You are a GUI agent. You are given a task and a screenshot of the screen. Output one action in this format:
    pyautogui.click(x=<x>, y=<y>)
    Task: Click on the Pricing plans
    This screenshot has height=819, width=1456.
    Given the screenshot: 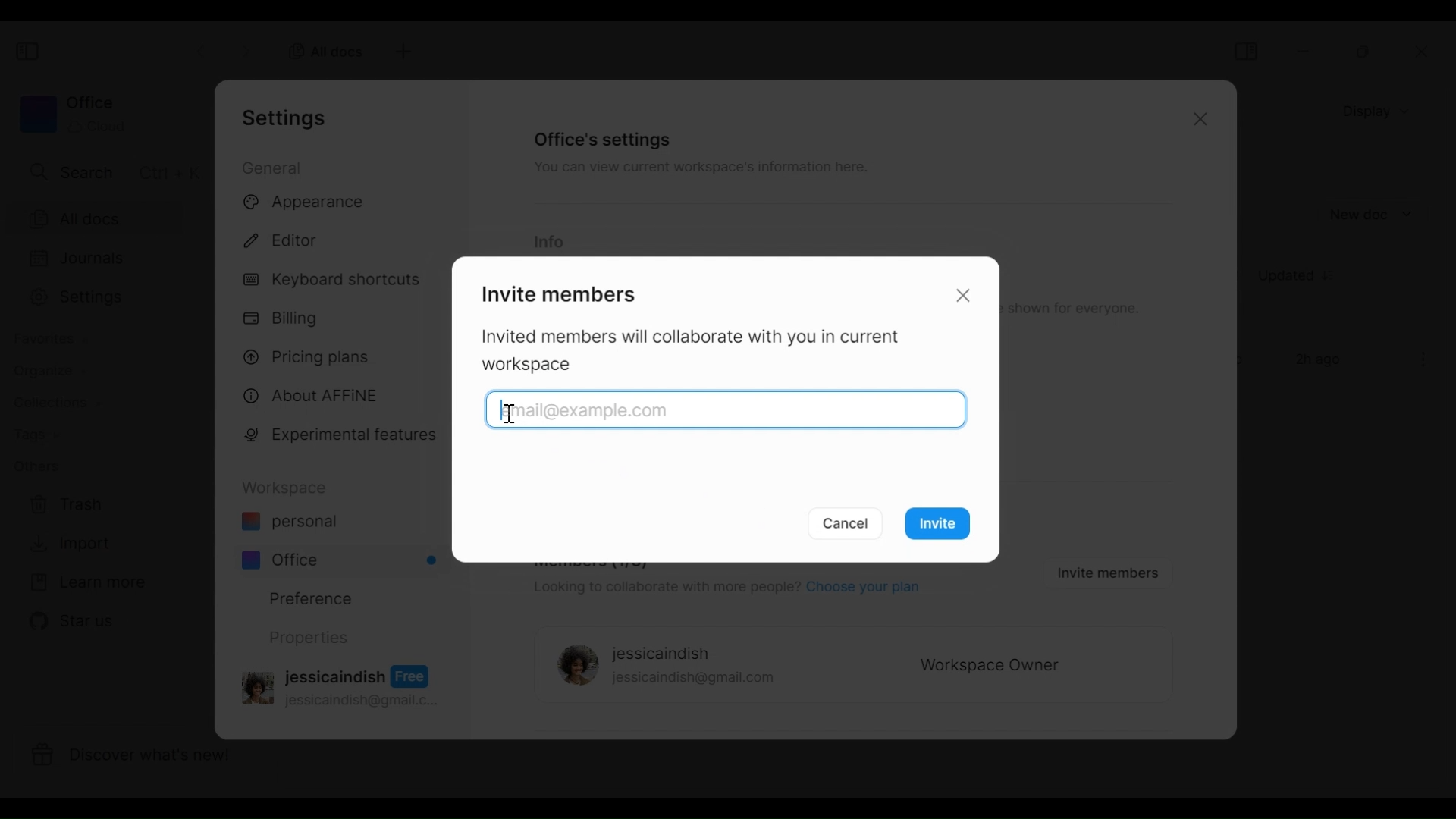 What is the action you would take?
    pyautogui.click(x=312, y=356)
    